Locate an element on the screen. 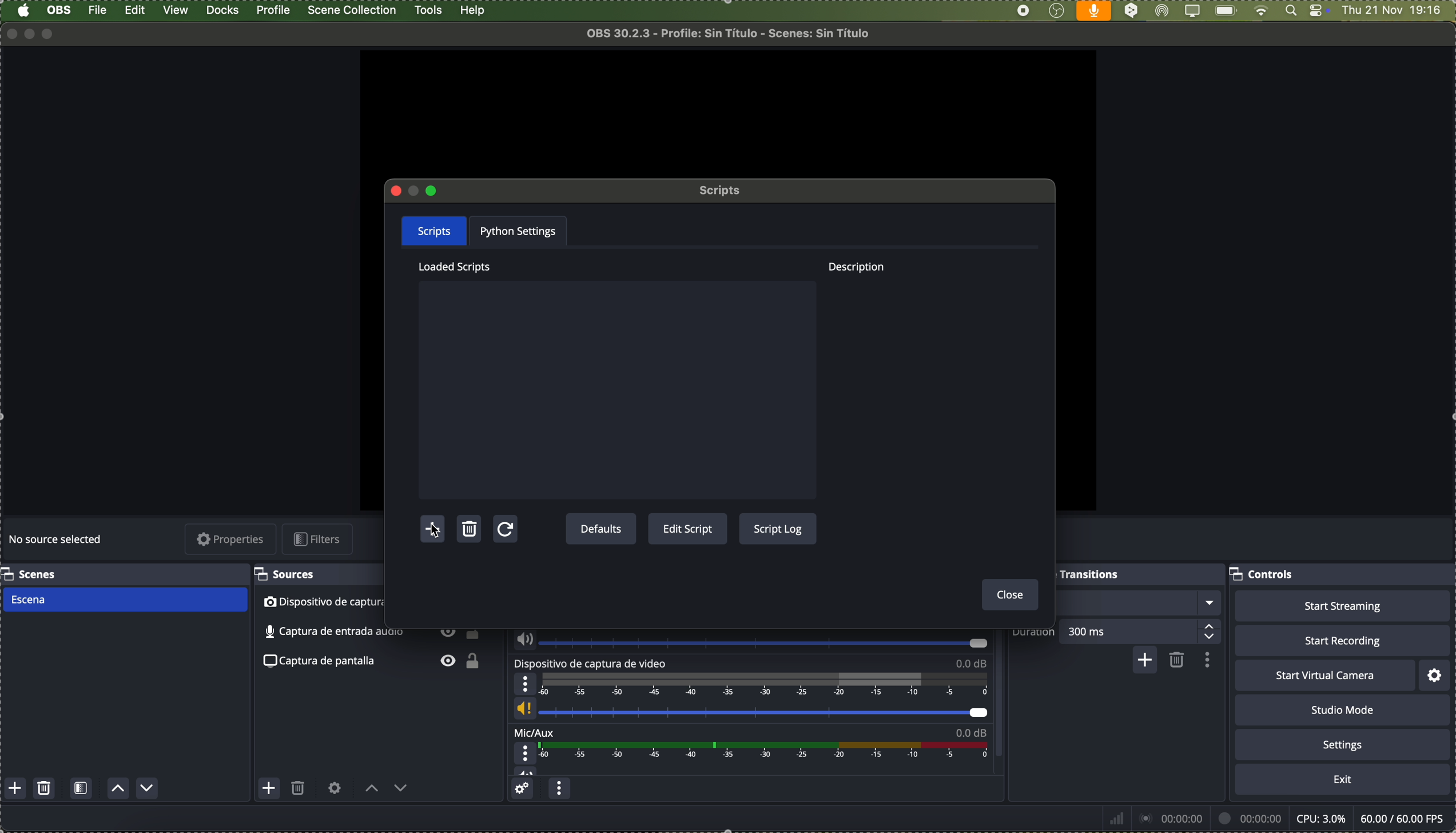 This screenshot has width=1456, height=833. description is located at coordinates (854, 268).